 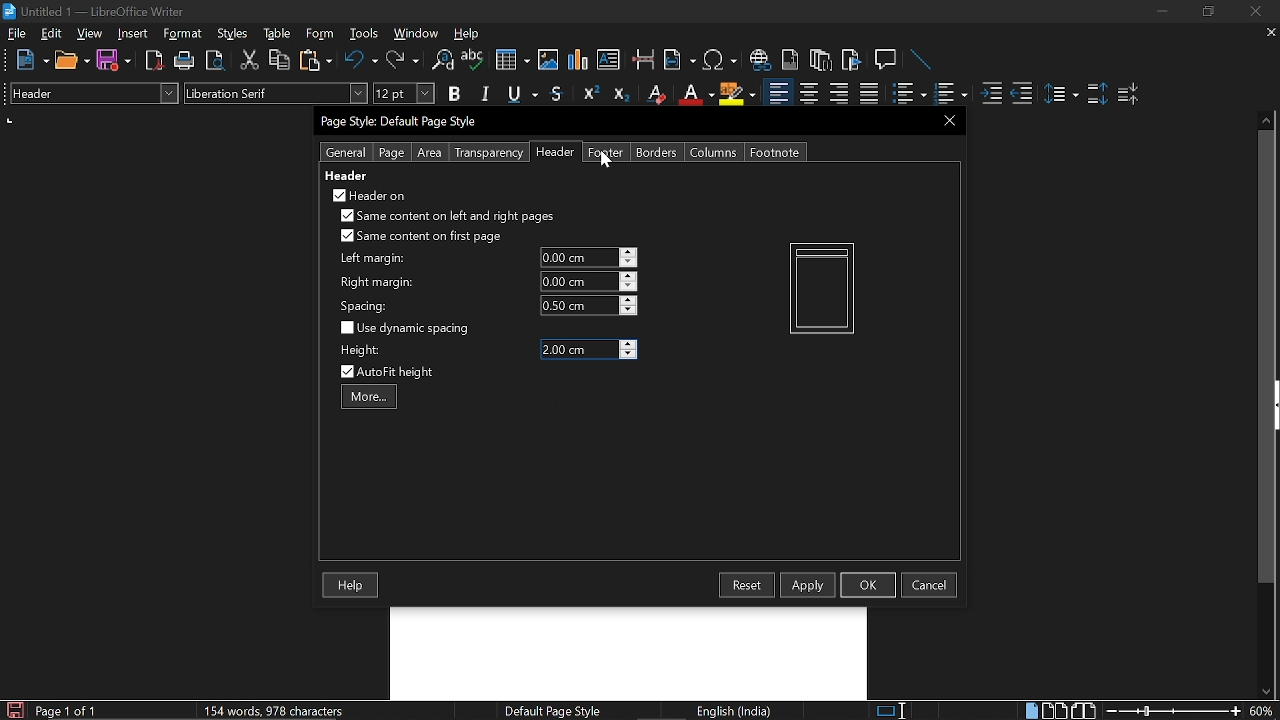 I want to click on Format, so click(x=185, y=34).